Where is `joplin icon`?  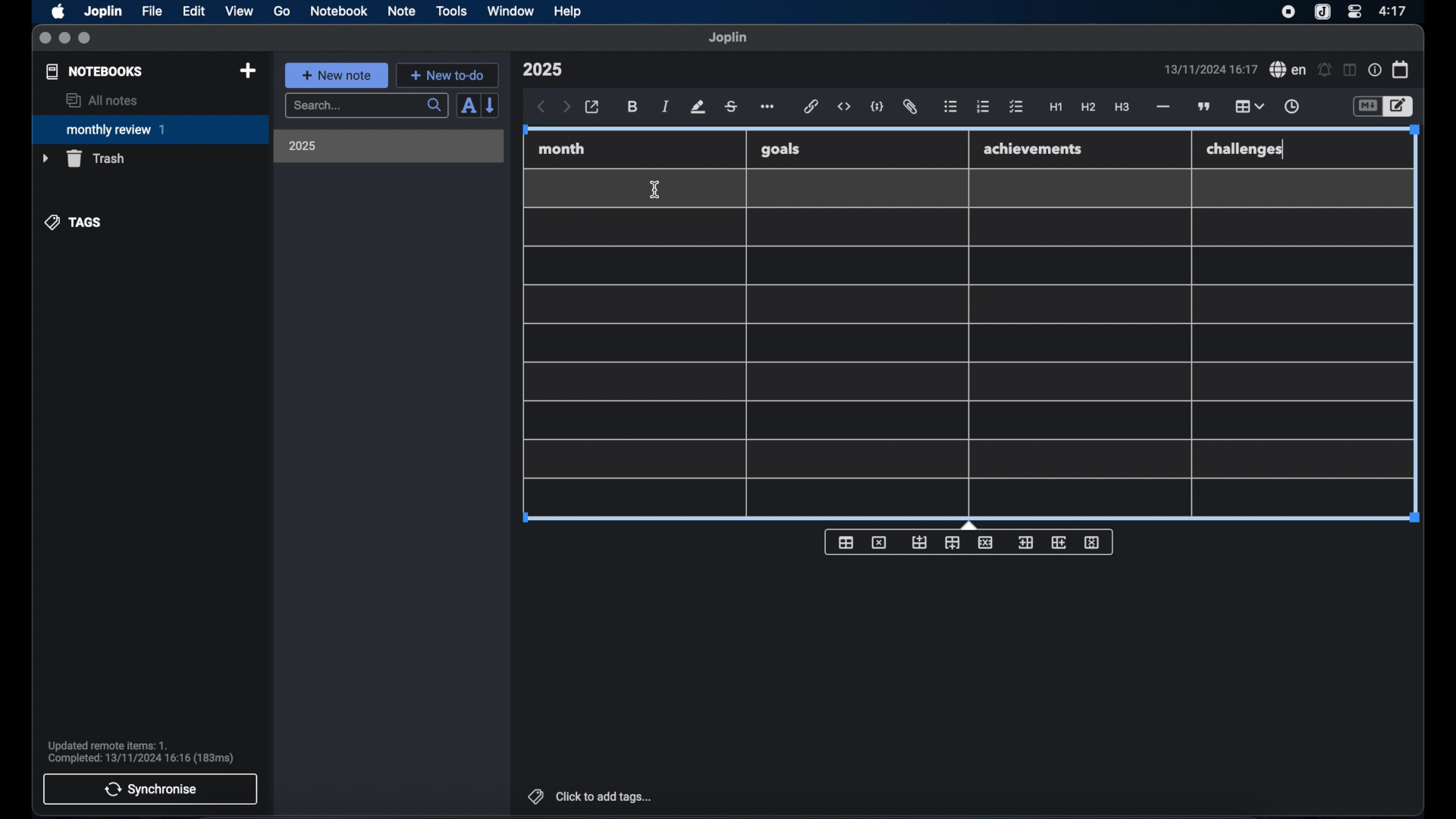
joplin icon is located at coordinates (1321, 13).